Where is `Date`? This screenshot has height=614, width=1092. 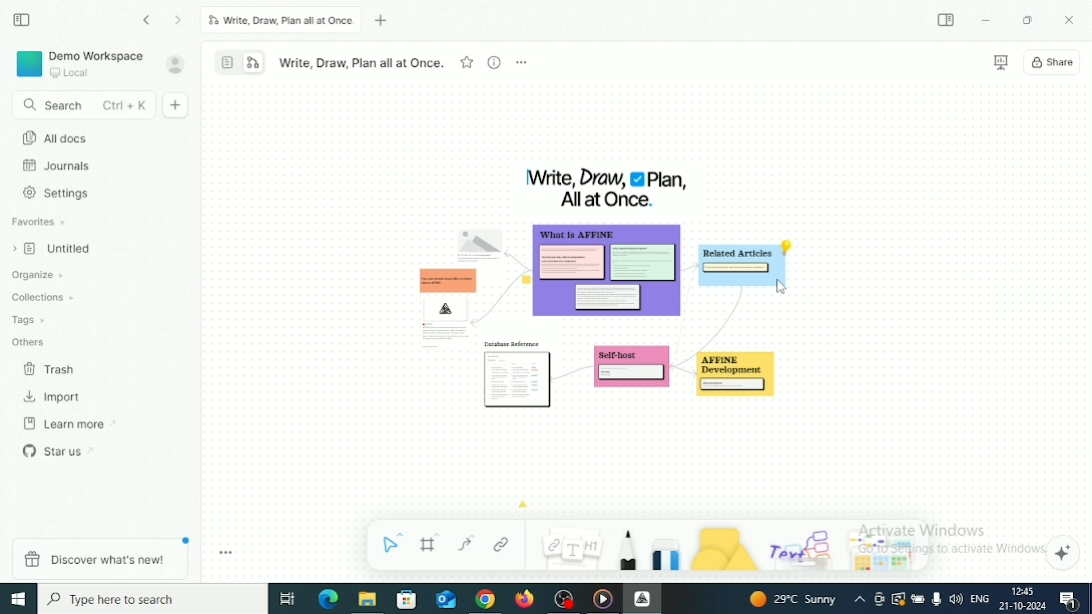
Date is located at coordinates (1021, 606).